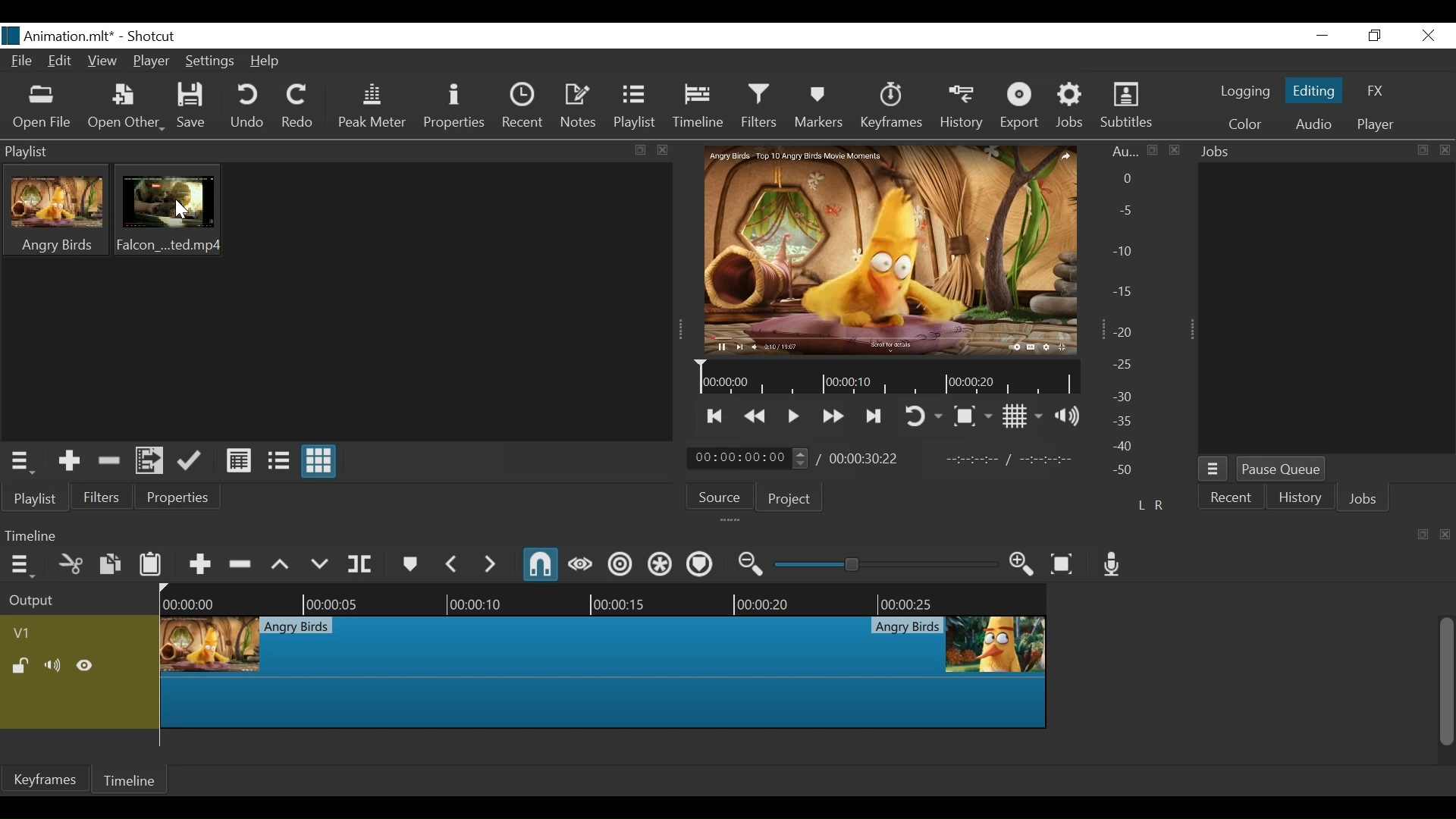 This screenshot has width=1456, height=819. I want to click on Recent, so click(522, 105).